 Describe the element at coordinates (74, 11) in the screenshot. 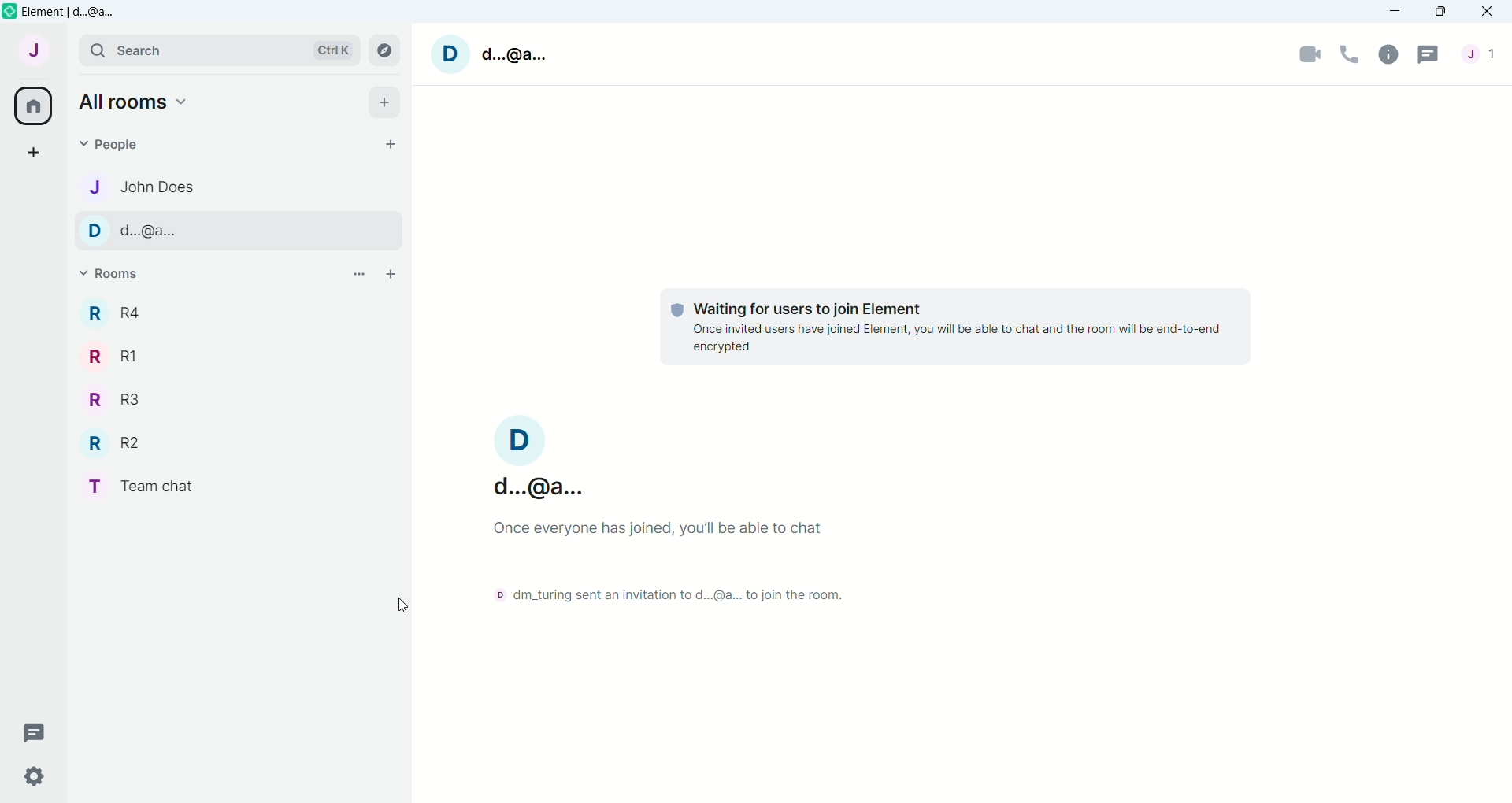

I see `Element` at that location.